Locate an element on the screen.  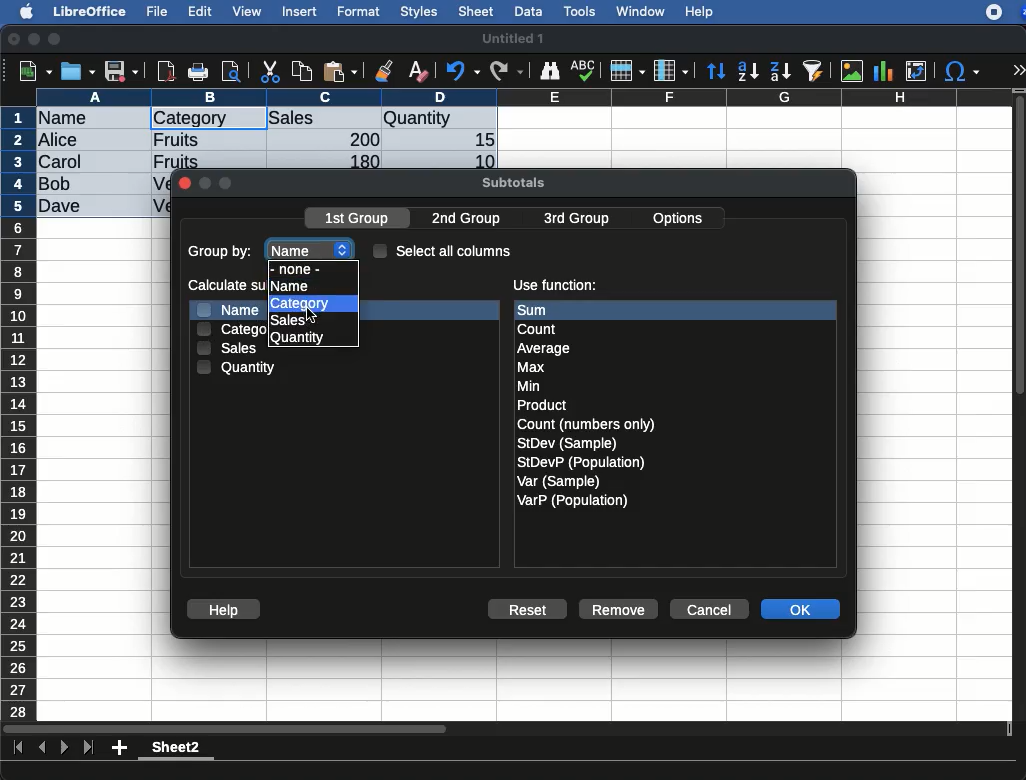
maximize is located at coordinates (57, 40).